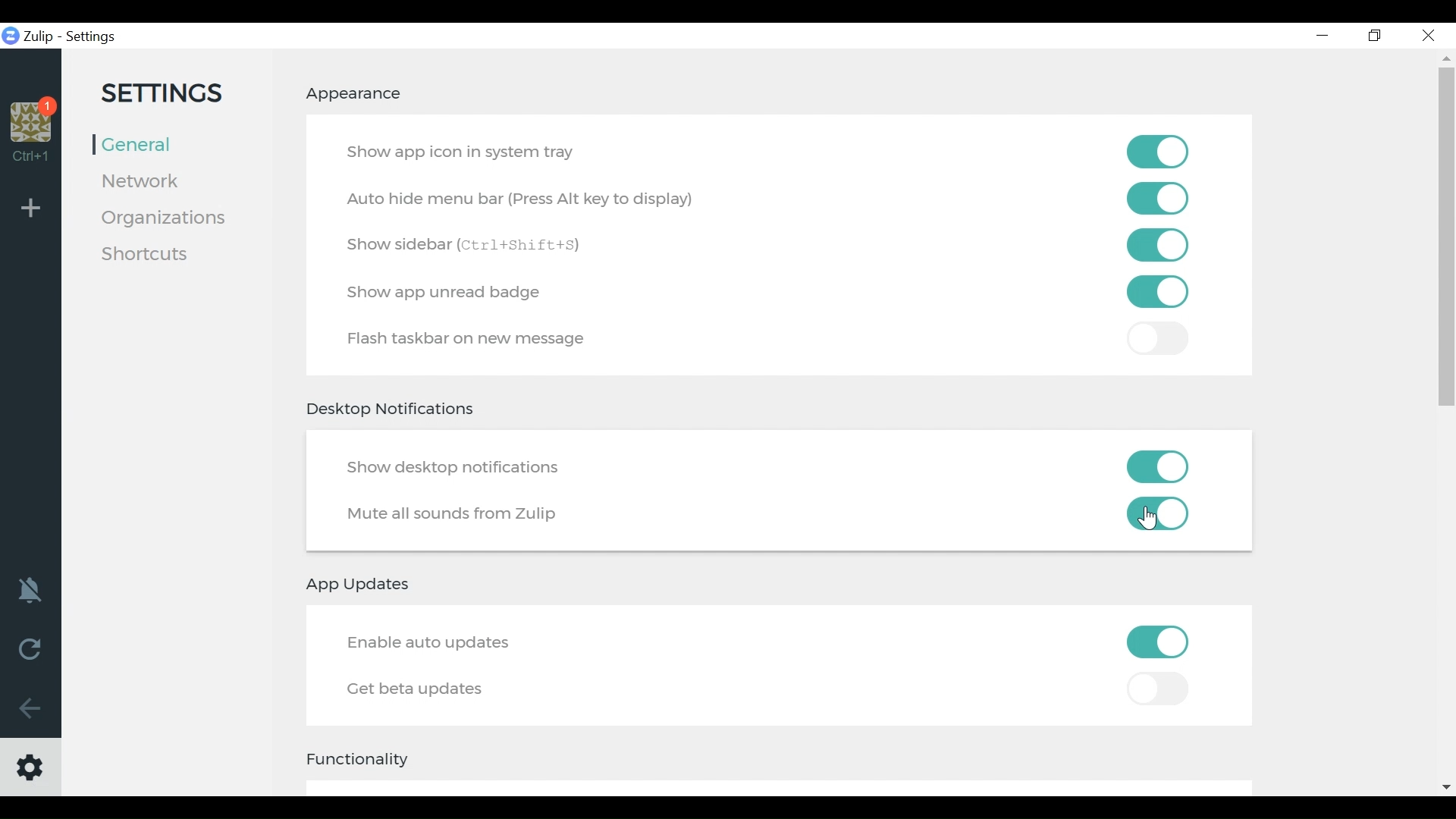 The image size is (1456, 819). I want to click on General, so click(140, 143).